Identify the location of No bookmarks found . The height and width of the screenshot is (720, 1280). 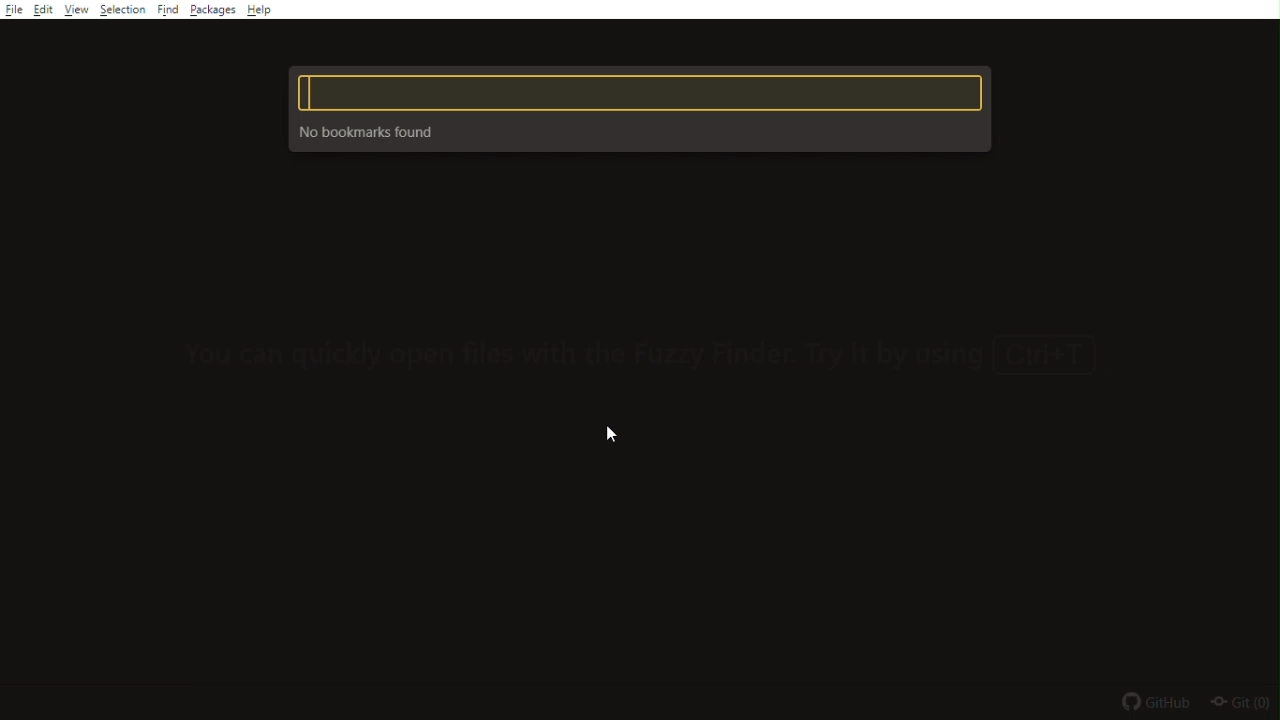
(637, 133).